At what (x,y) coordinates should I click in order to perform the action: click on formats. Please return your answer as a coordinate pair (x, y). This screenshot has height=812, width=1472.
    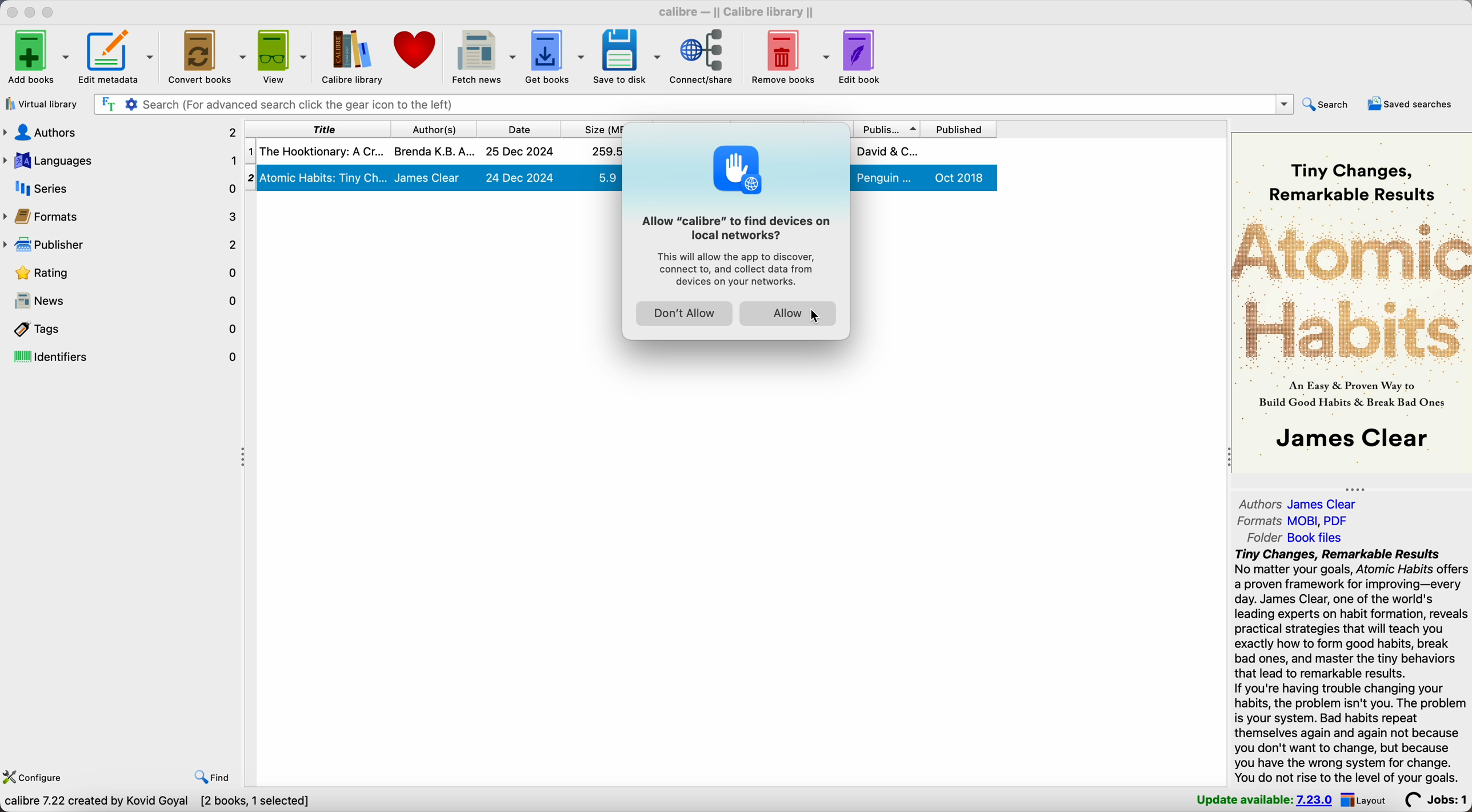
    Looking at the image, I should click on (1297, 520).